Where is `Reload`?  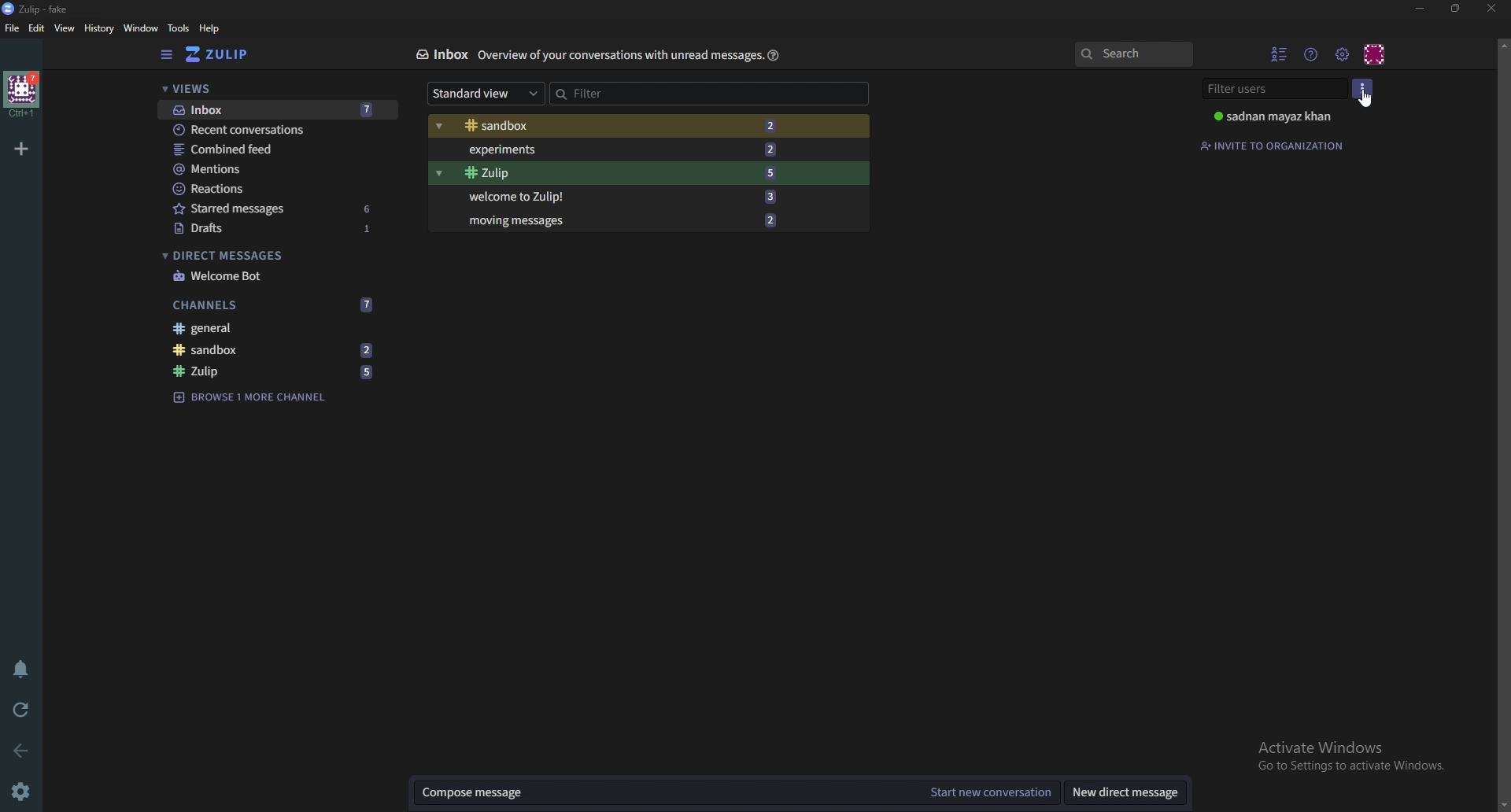
Reload is located at coordinates (24, 707).